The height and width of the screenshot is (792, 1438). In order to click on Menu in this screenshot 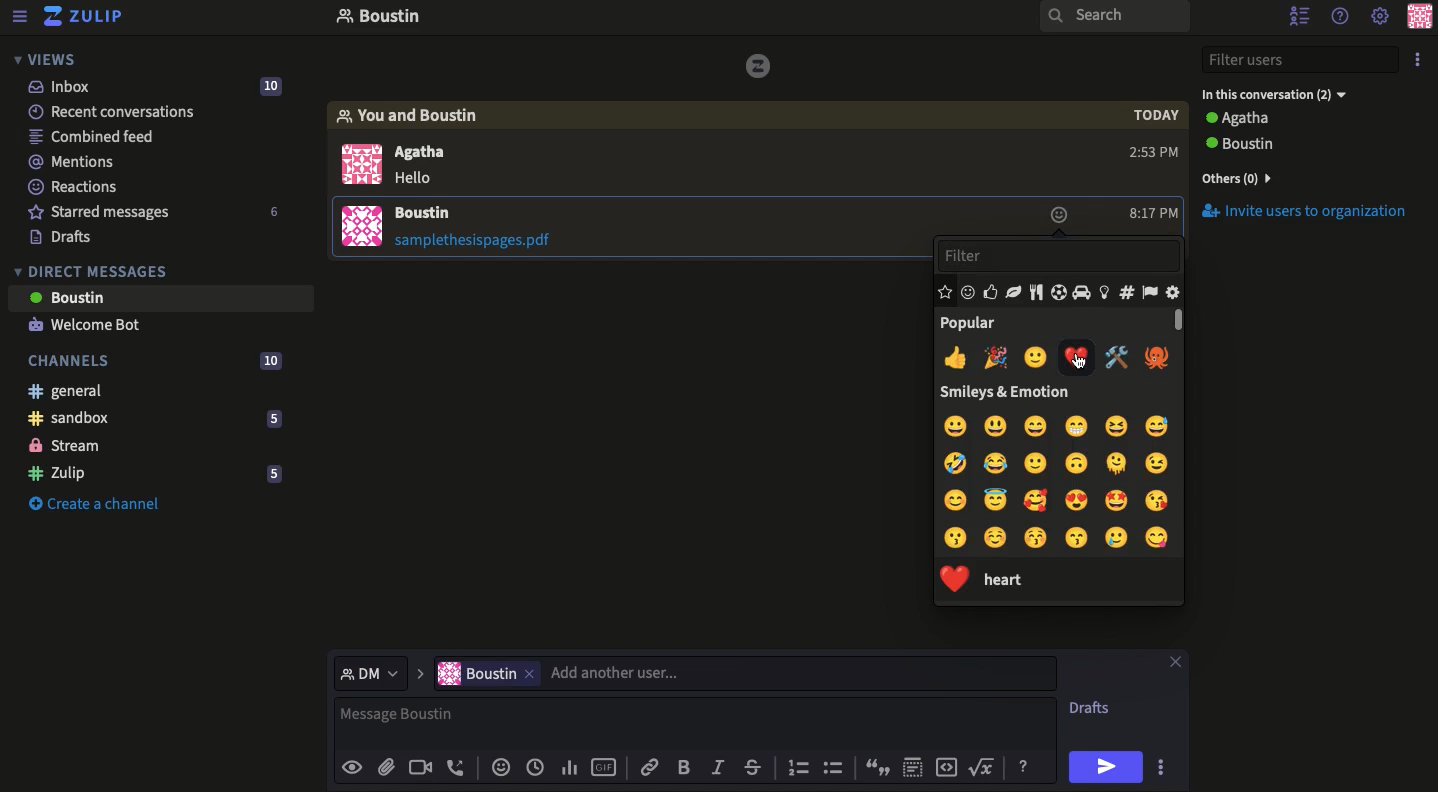, I will do `click(21, 14)`.